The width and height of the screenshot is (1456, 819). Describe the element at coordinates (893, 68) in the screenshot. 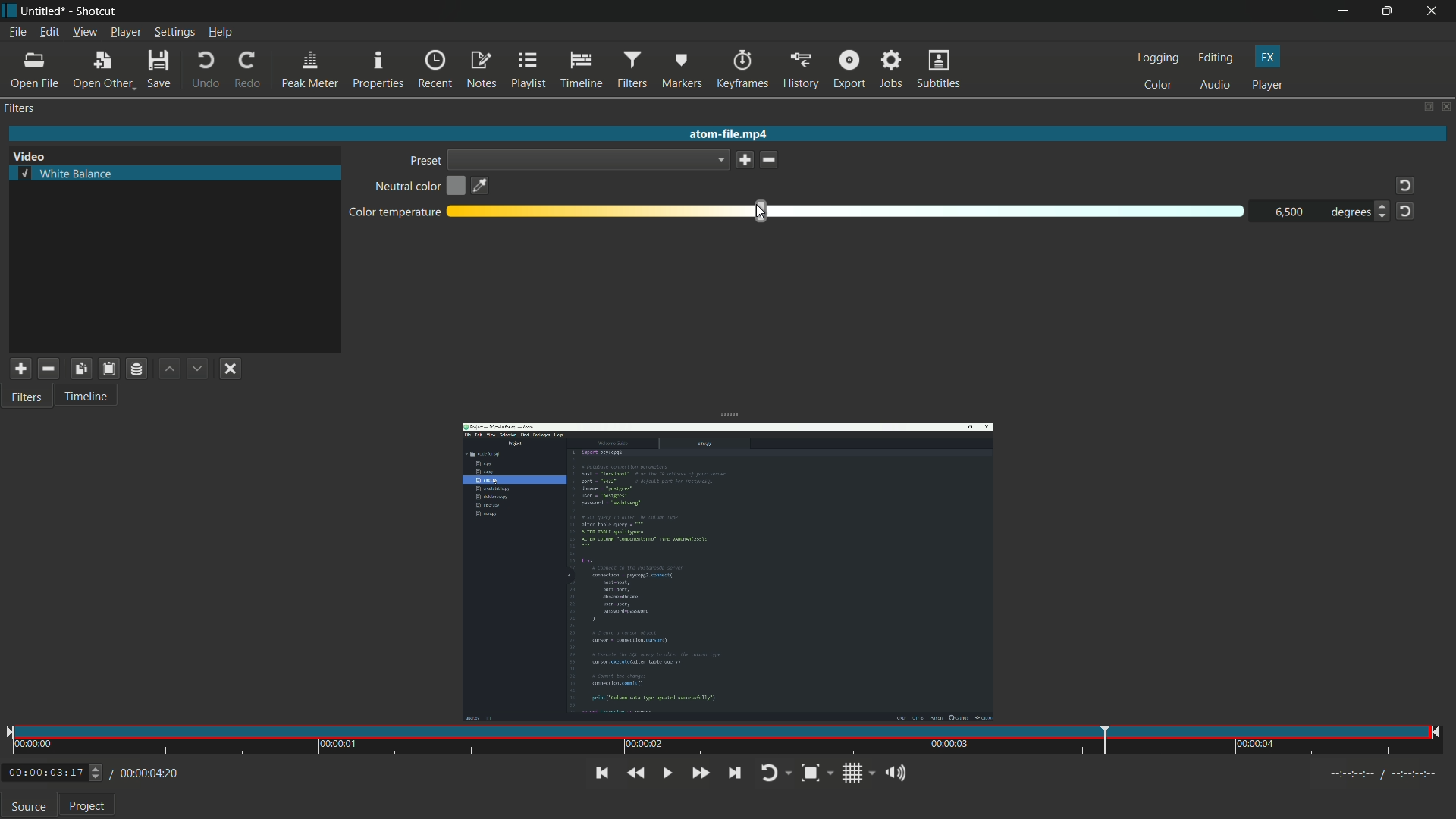

I see `jobs` at that location.